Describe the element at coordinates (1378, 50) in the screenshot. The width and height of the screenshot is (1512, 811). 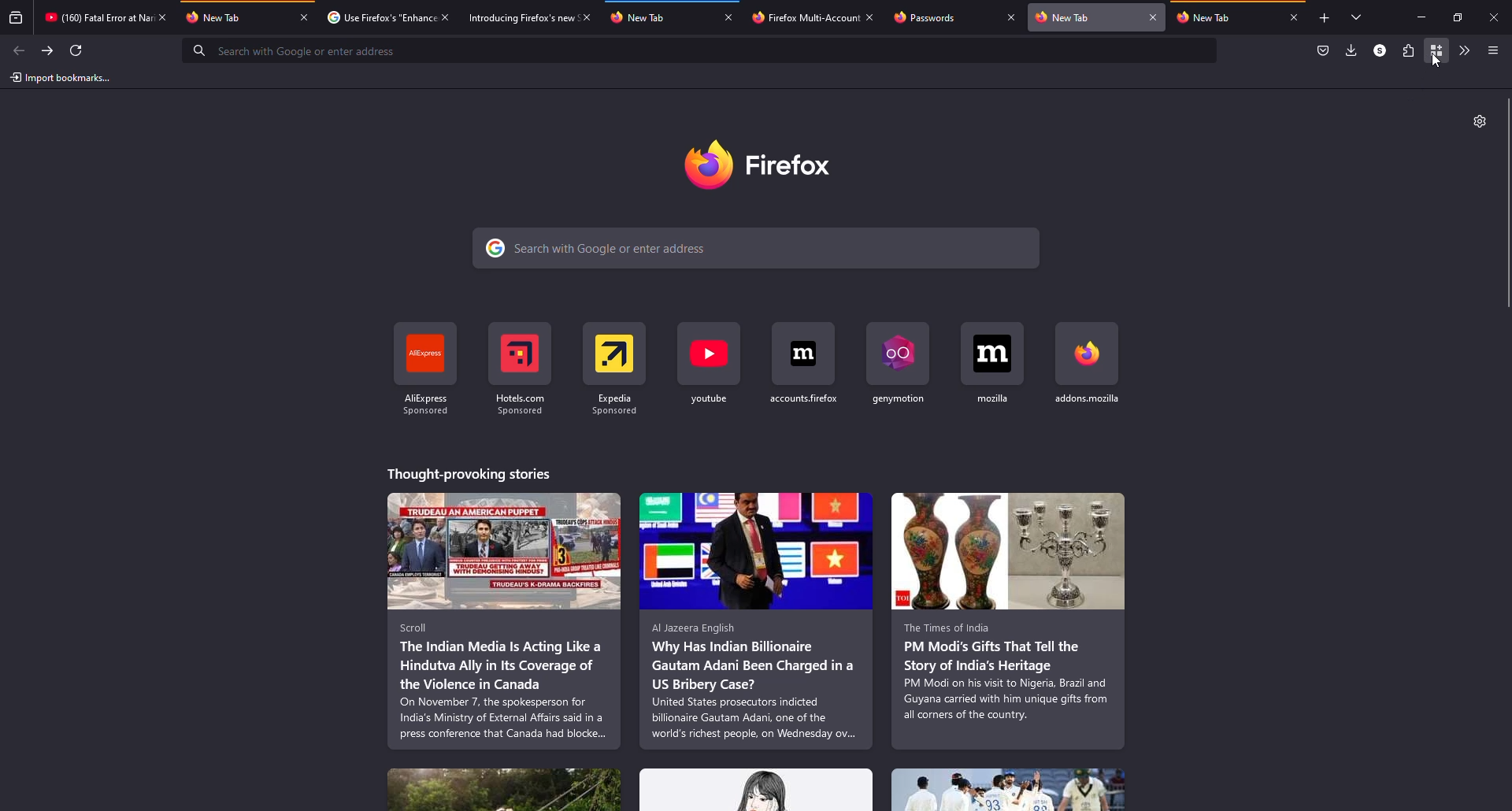
I see `profile` at that location.